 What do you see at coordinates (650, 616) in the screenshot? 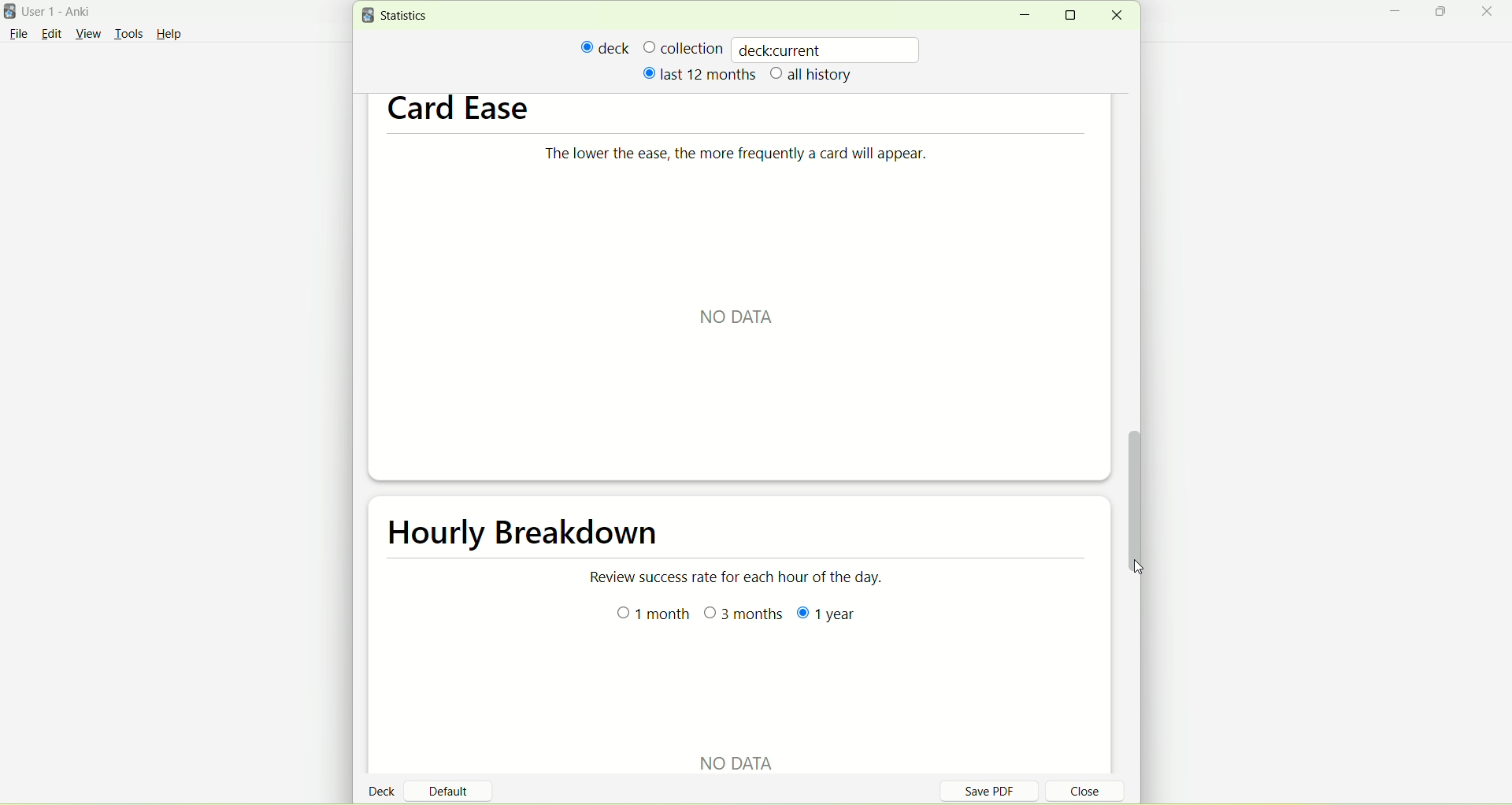
I see ` month` at bounding box center [650, 616].